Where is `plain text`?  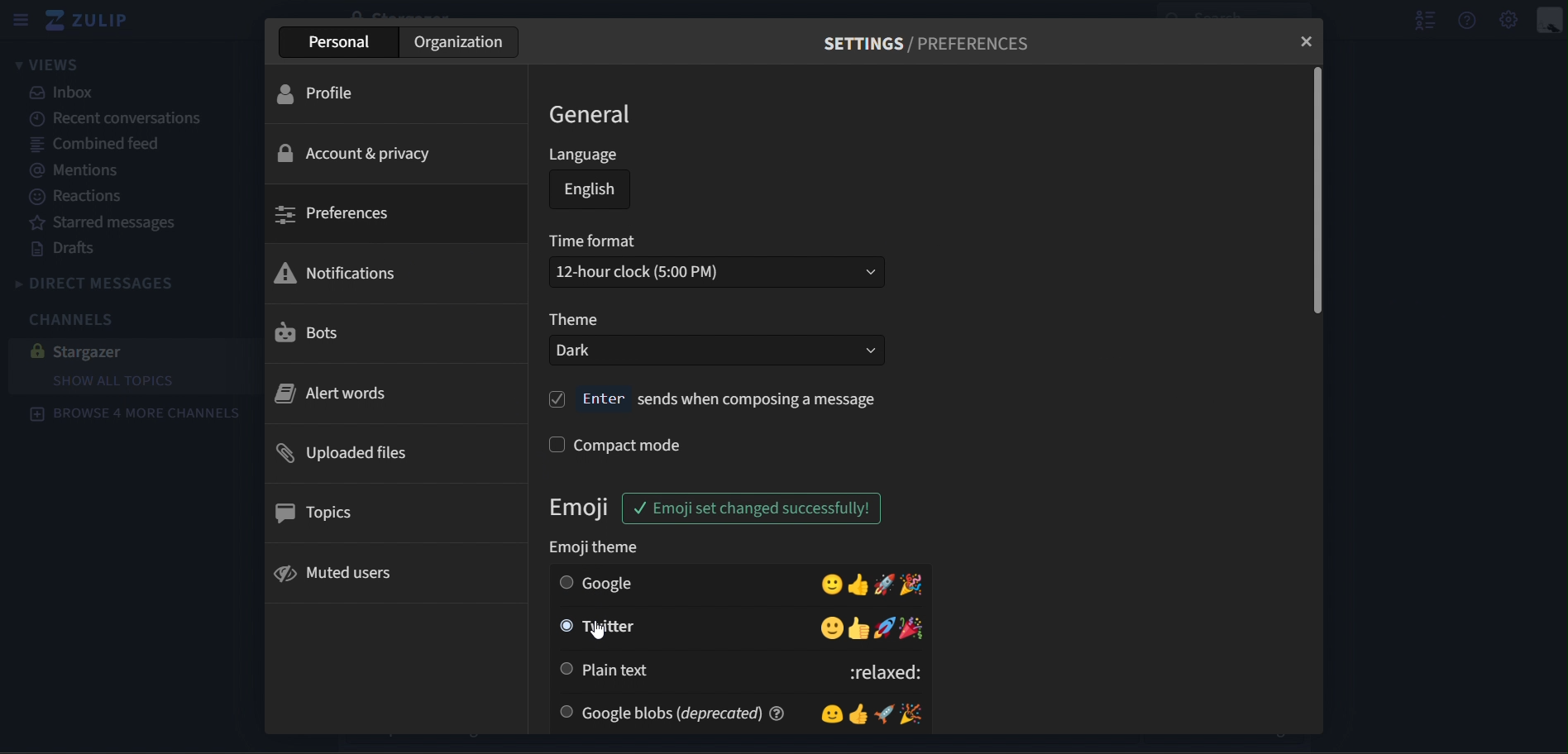 plain text is located at coordinates (742, 670).